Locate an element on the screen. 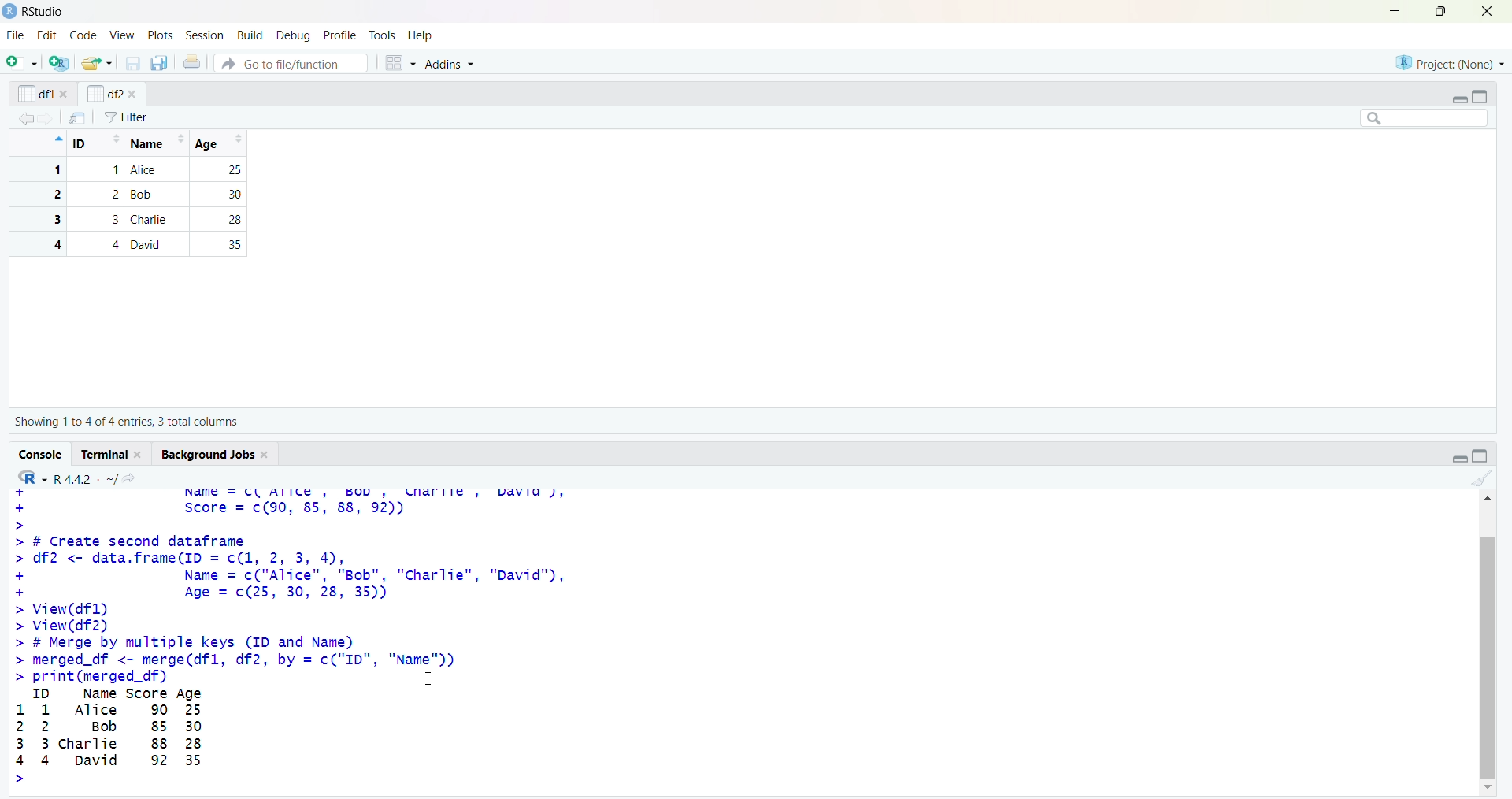 The image size is (1512, 799). backward is located at coordinates (25, 118).